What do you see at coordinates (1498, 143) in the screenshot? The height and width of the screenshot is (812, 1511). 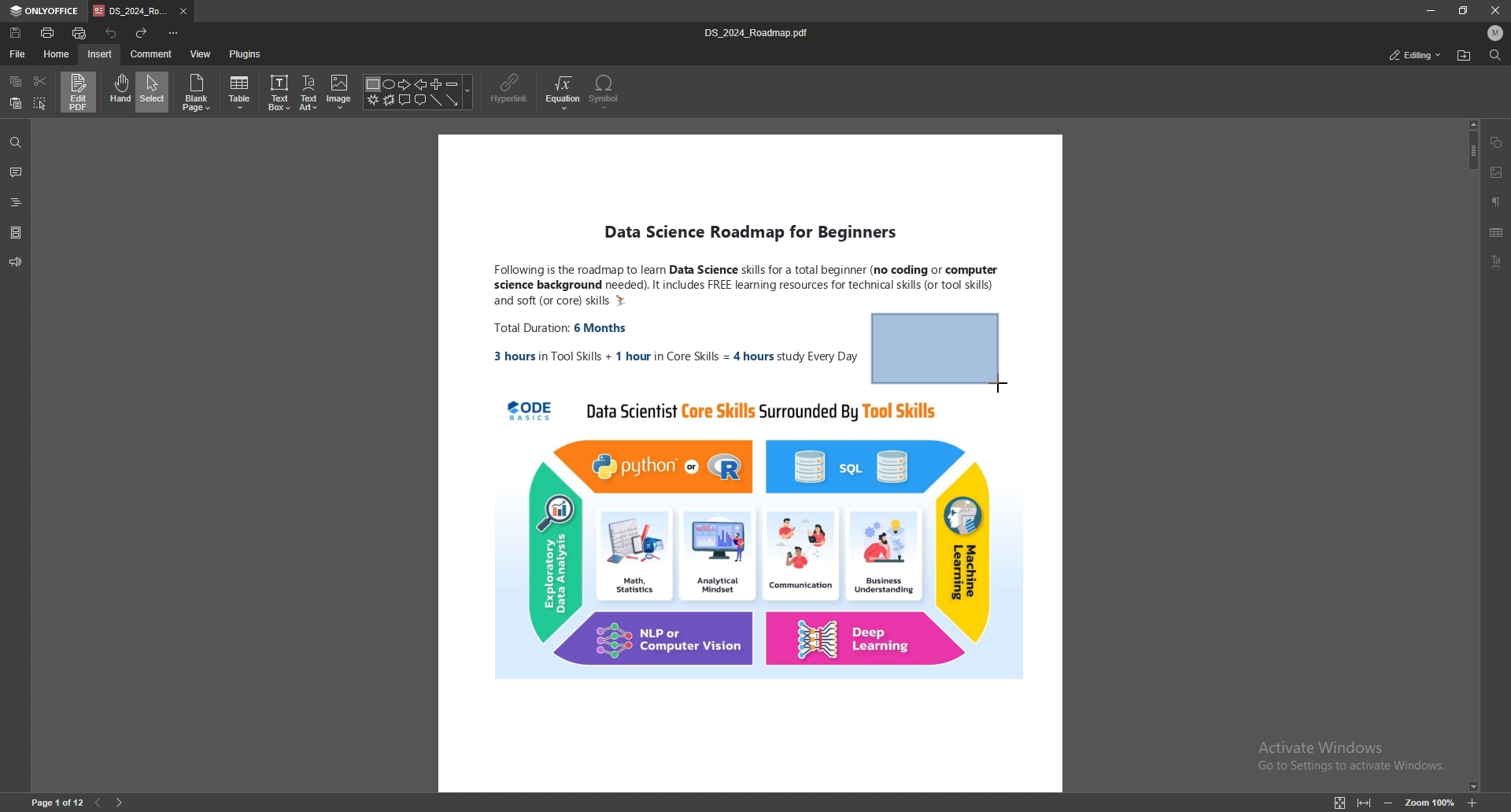 I see `shape` at bounding box center [1498, 143].